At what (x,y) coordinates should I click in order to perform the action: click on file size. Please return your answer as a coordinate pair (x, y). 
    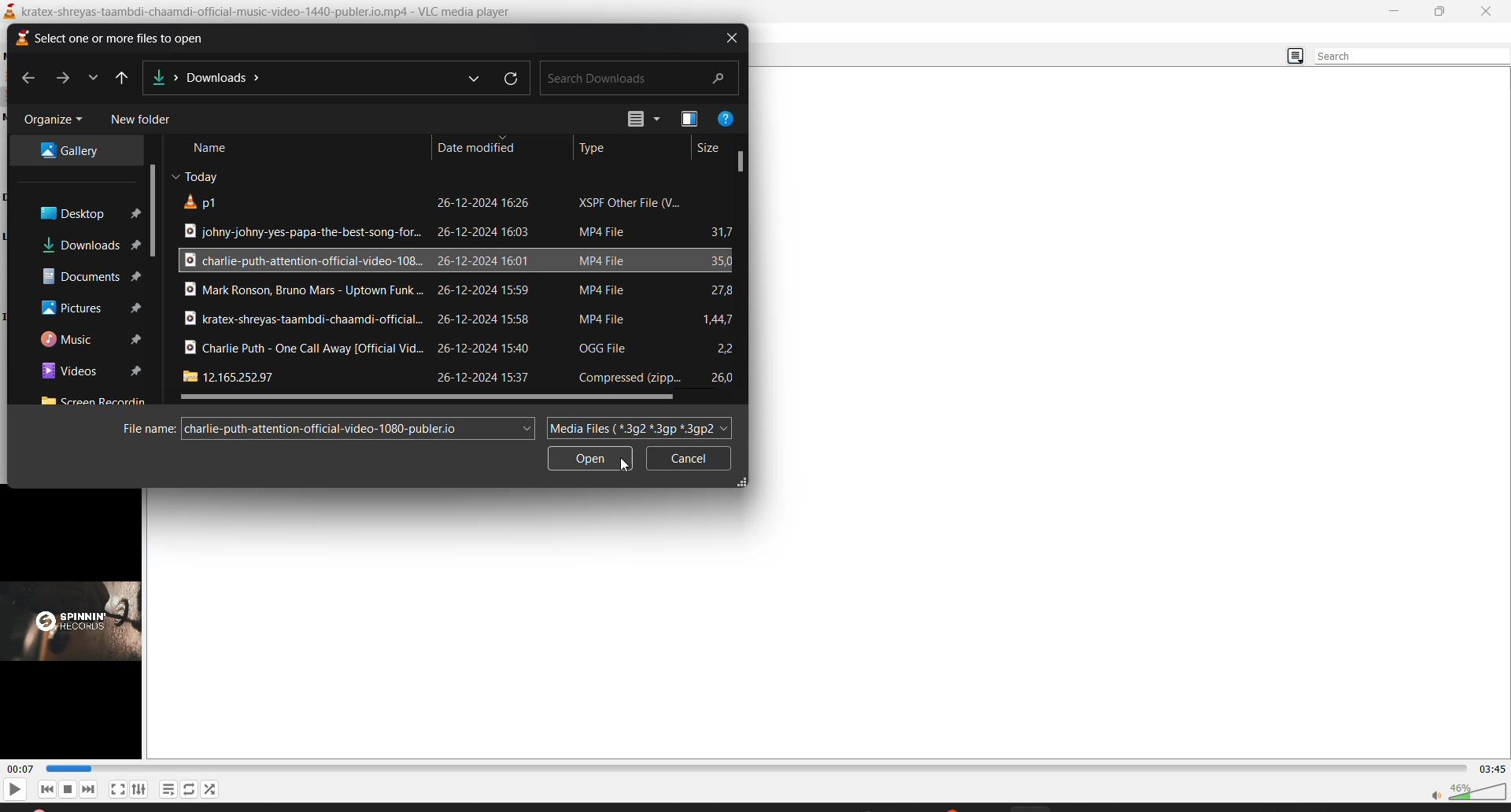
    Looking at the image, I should click on (712, 257).